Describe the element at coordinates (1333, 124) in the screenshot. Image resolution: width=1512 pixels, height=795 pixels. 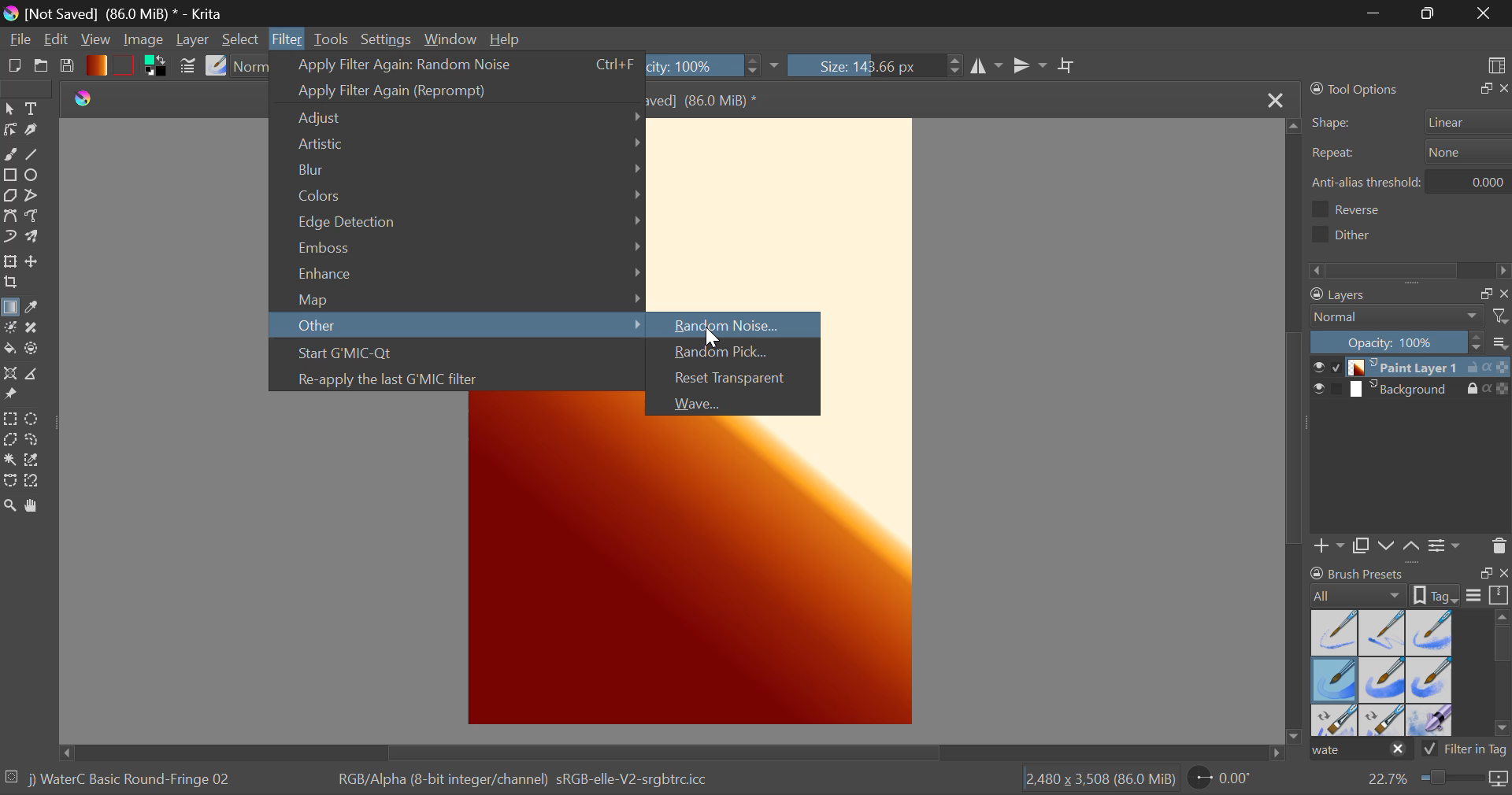
I see `shape:` at that location.